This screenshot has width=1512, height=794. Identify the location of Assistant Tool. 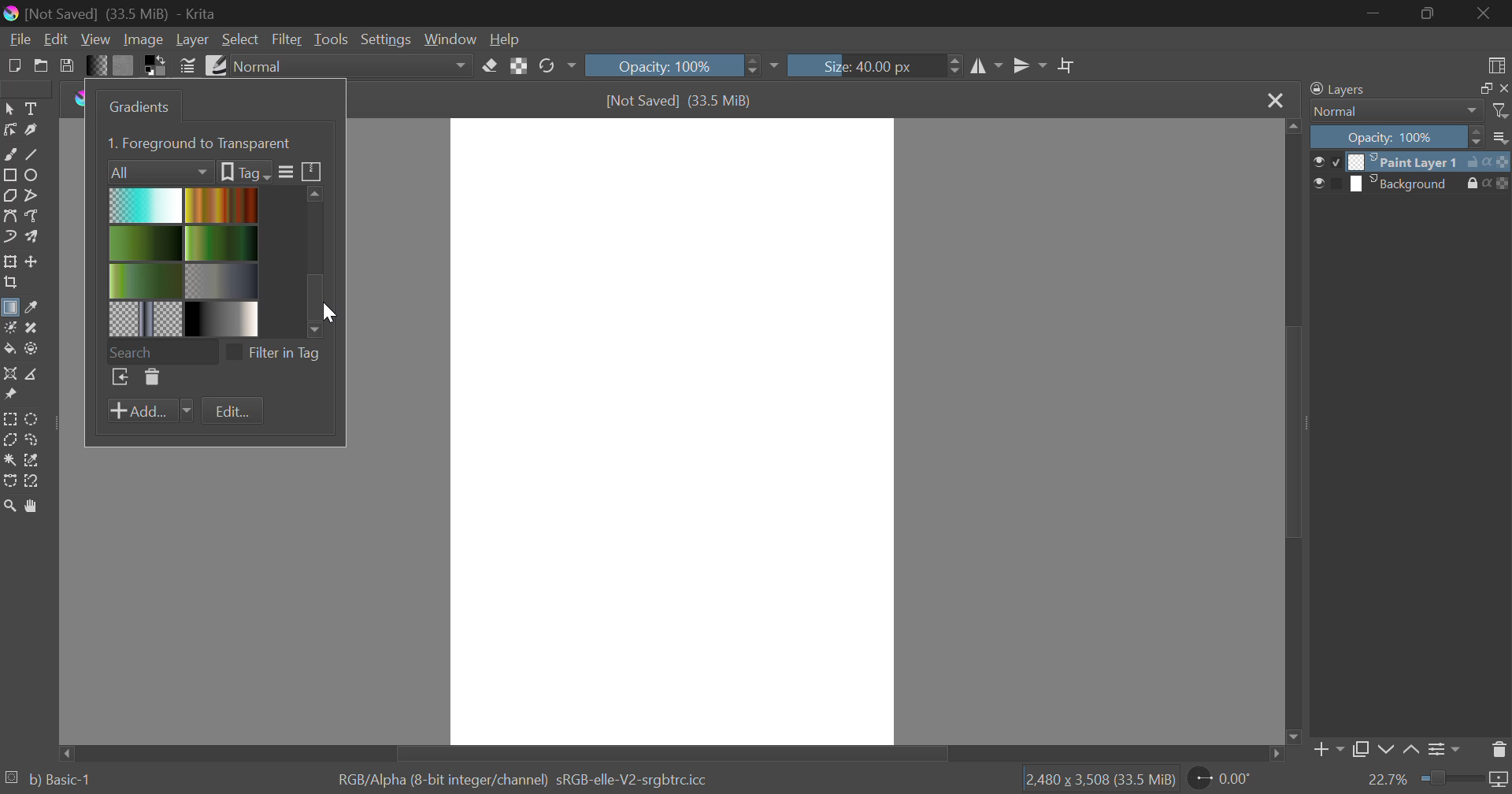
(10, 375).